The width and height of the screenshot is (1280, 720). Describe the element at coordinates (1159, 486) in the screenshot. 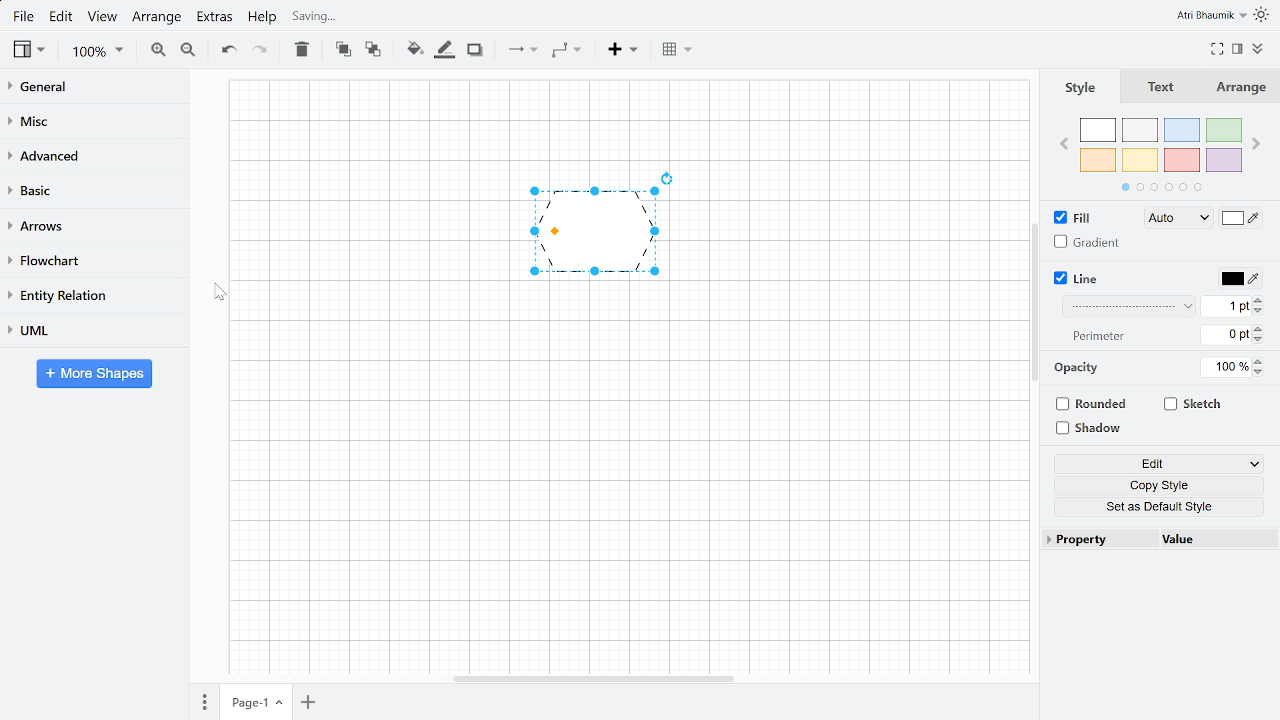

I see `Copy style` at that location.